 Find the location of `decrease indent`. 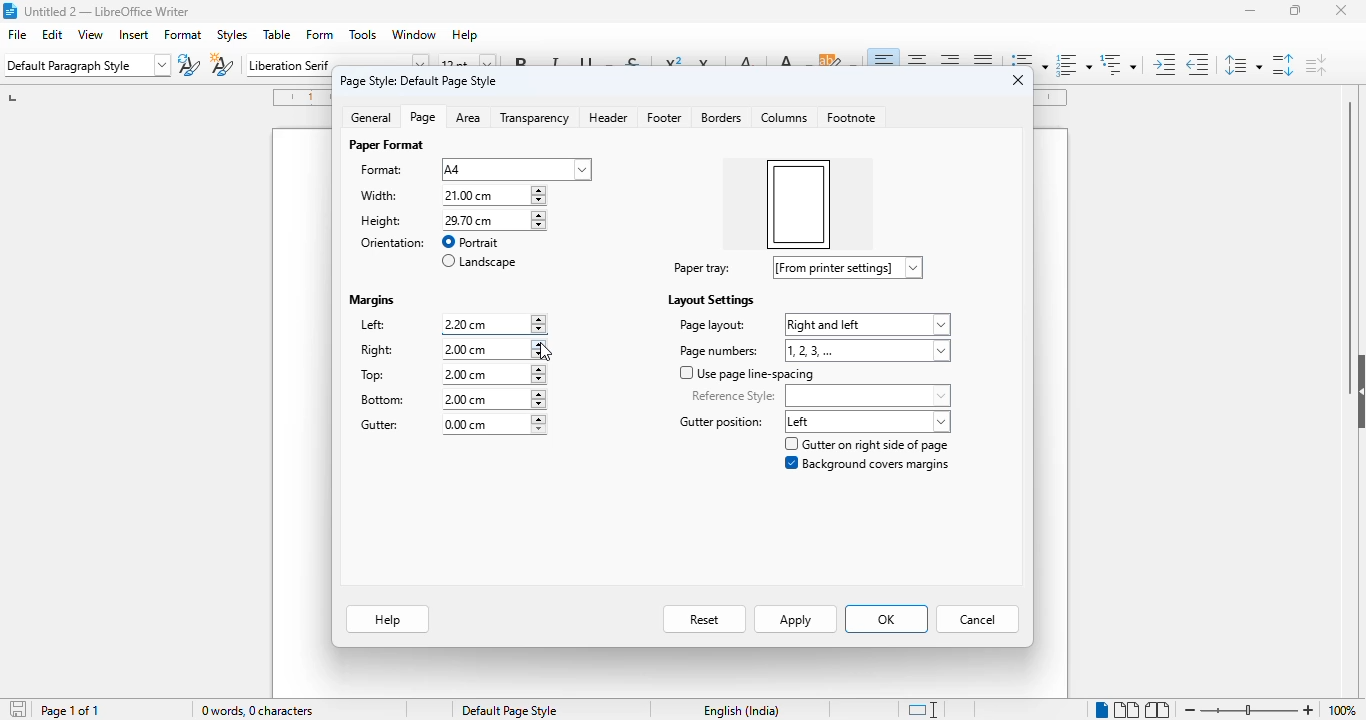

decrease indent is located at coordinates (1197, 65).